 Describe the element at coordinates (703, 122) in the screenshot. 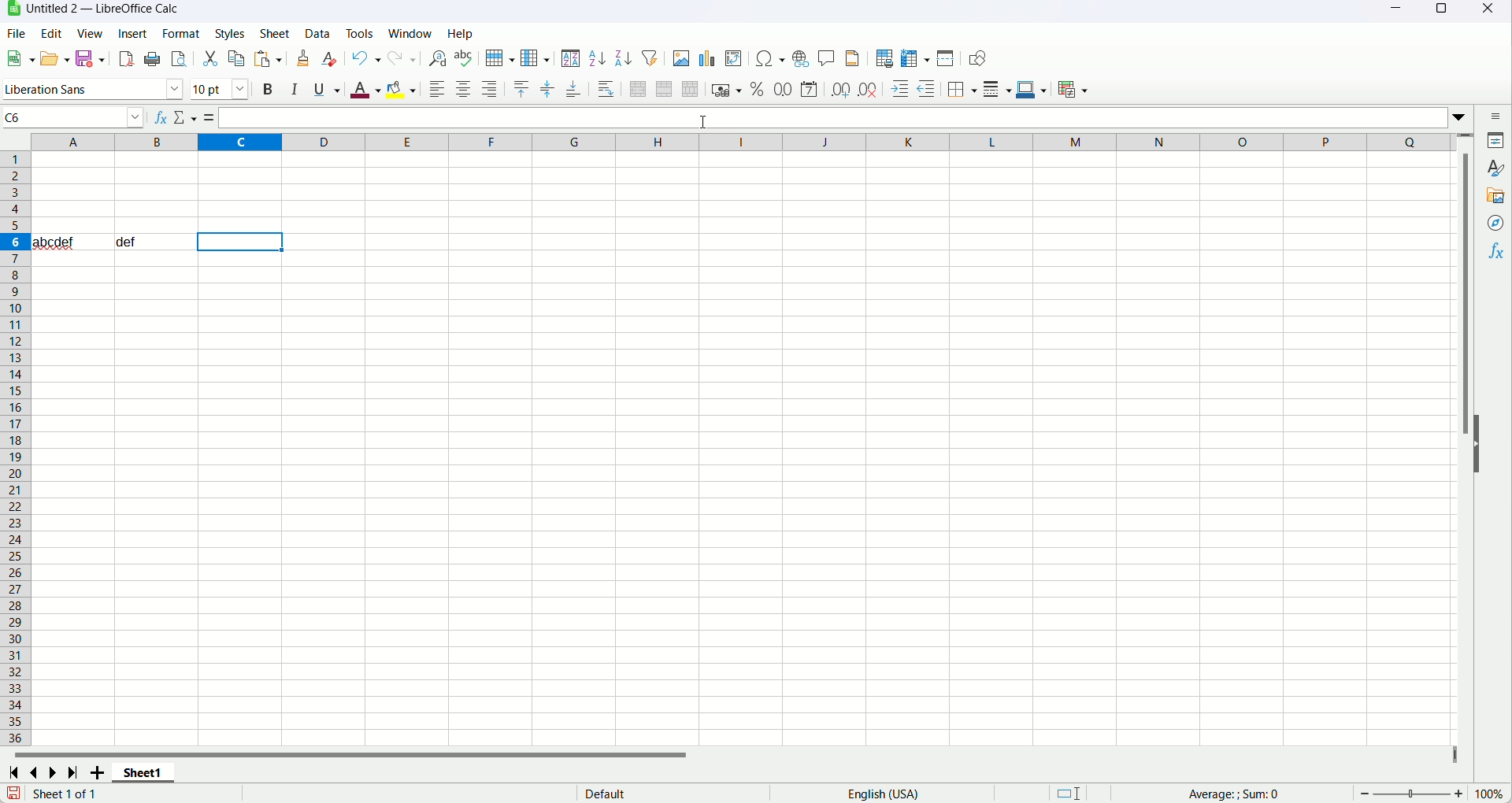

I see `cursor` at that location.